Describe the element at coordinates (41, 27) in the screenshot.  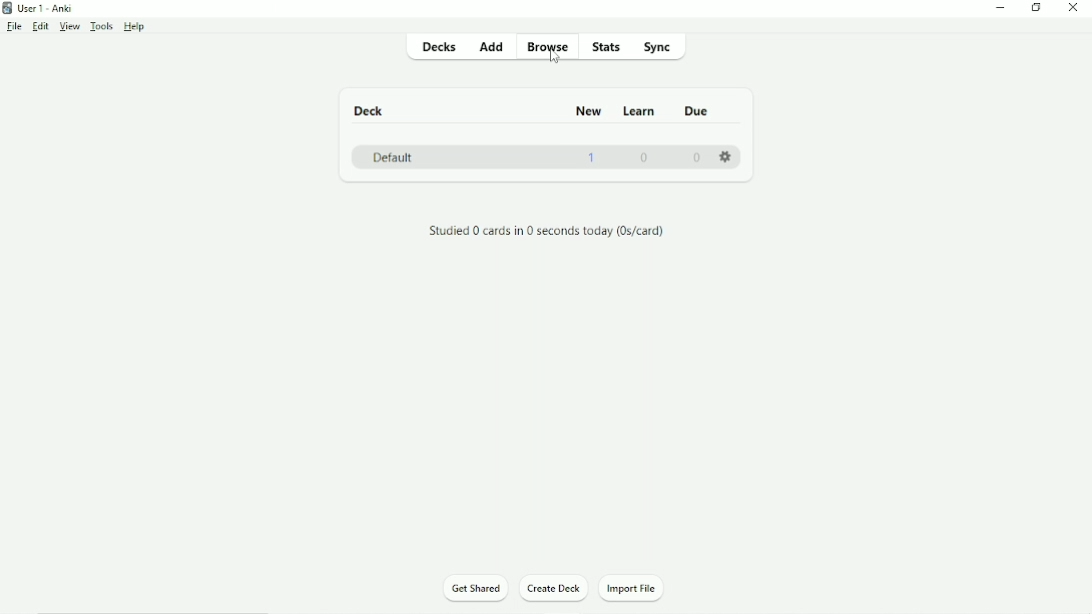
I see `Edit` at that location.